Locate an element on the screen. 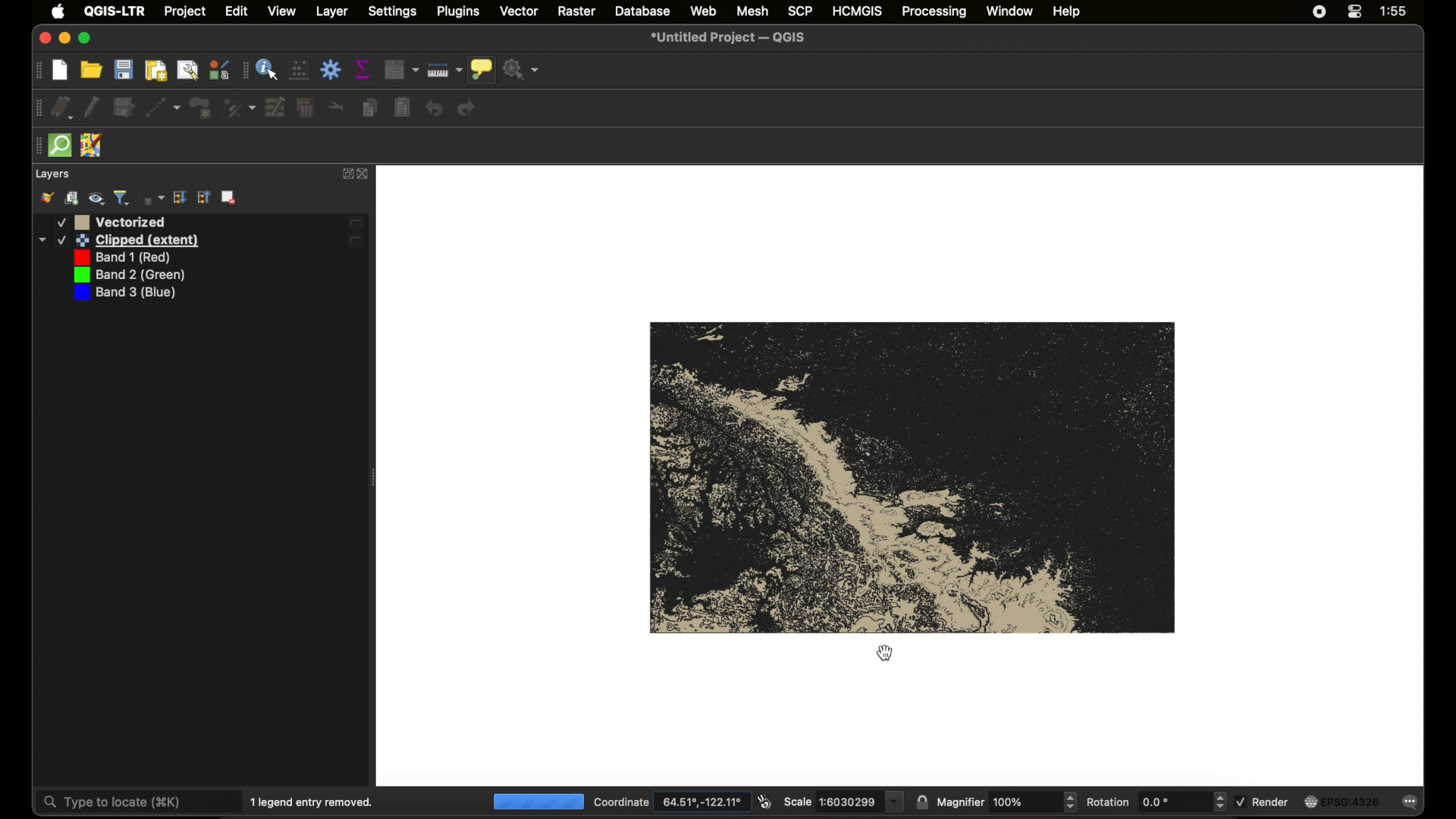  band 1 is located at coordinates (152, 240).